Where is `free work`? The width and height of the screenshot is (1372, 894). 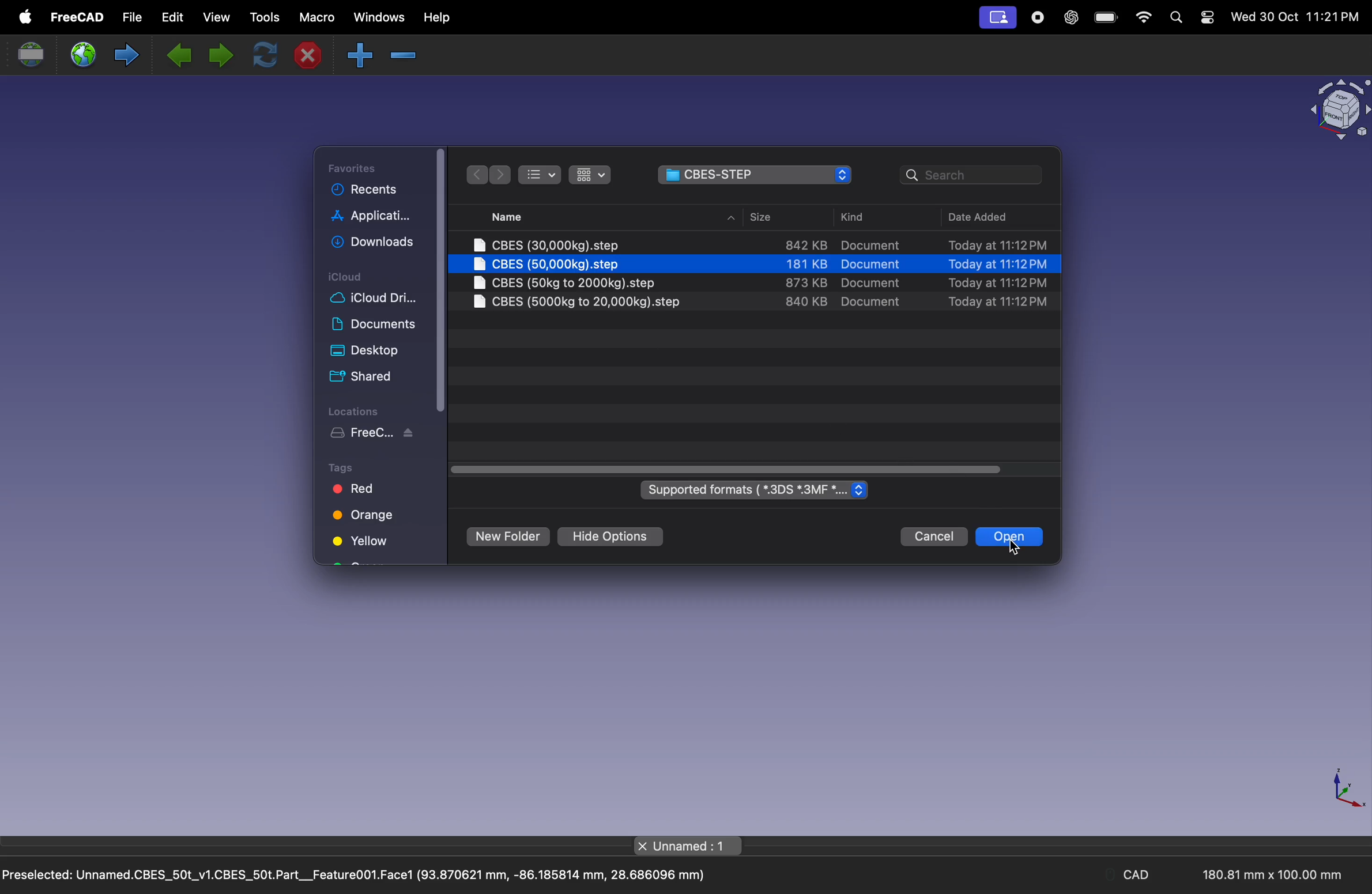 free work is located at coordinates (374, 433).